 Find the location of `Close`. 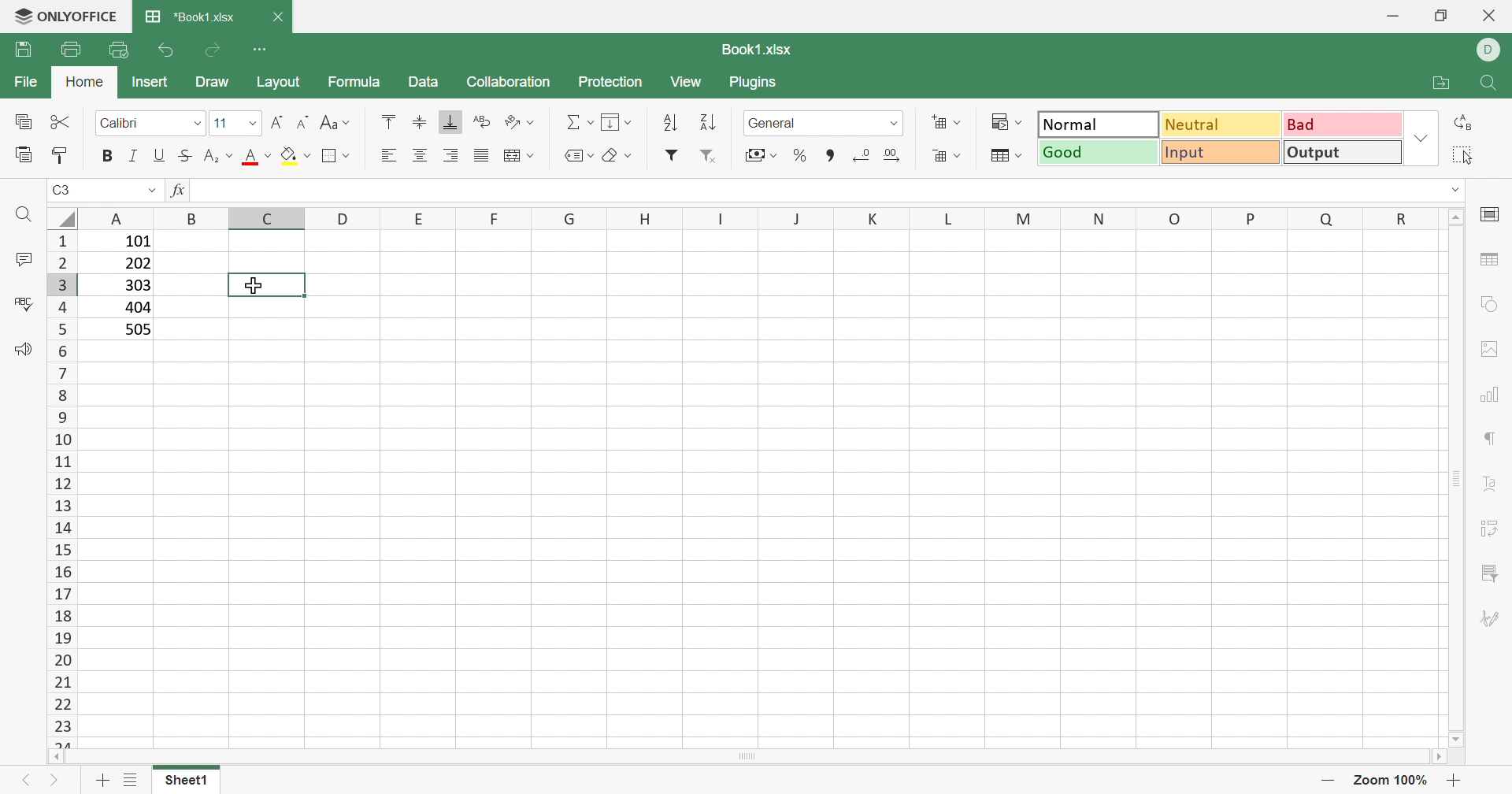

Close is located at coordinates (282, 15).